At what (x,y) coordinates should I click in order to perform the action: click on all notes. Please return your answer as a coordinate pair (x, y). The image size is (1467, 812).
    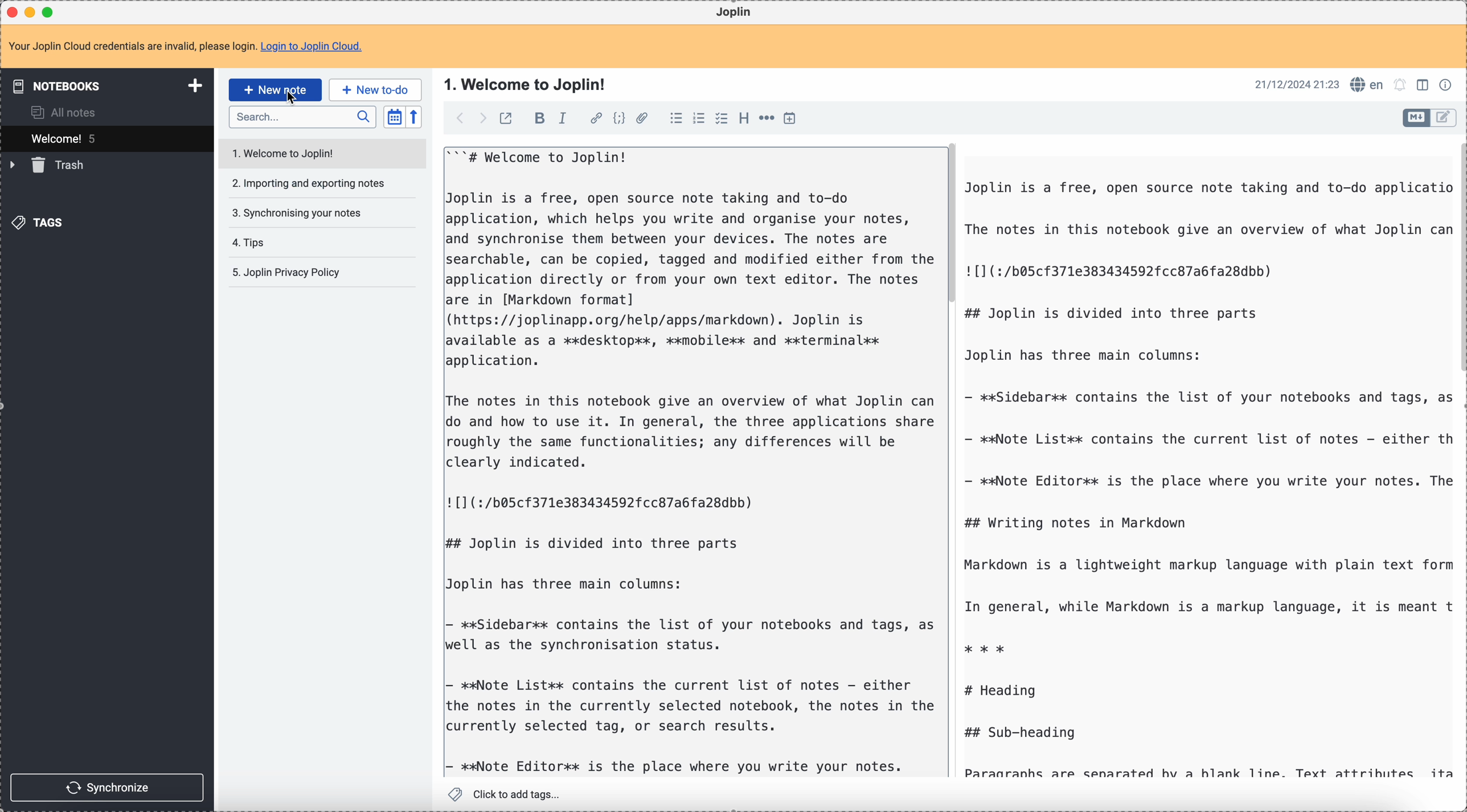
    Looking at the image, I should click on (67, 112).